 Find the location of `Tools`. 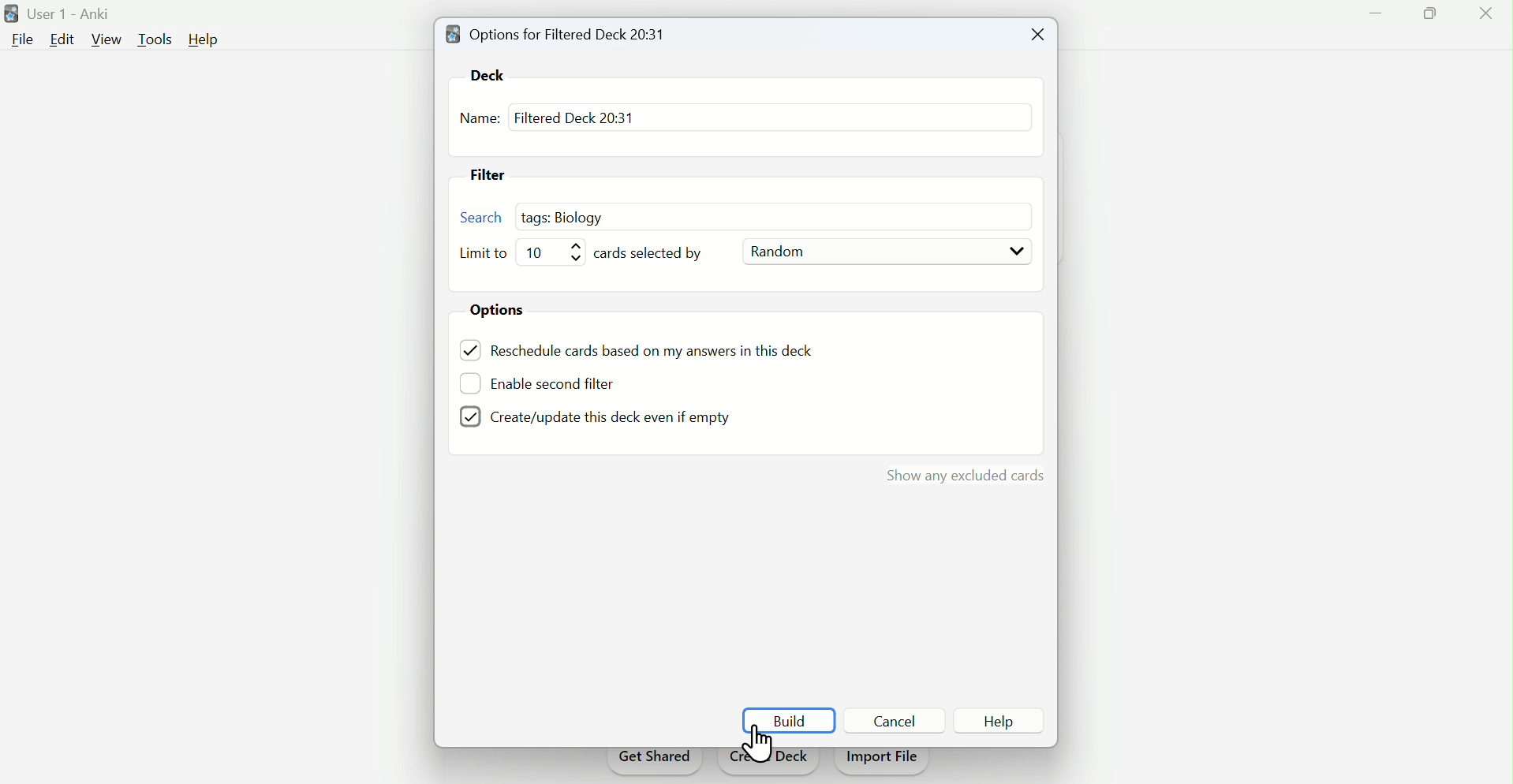

Tools is located at coordinates (158, 38).